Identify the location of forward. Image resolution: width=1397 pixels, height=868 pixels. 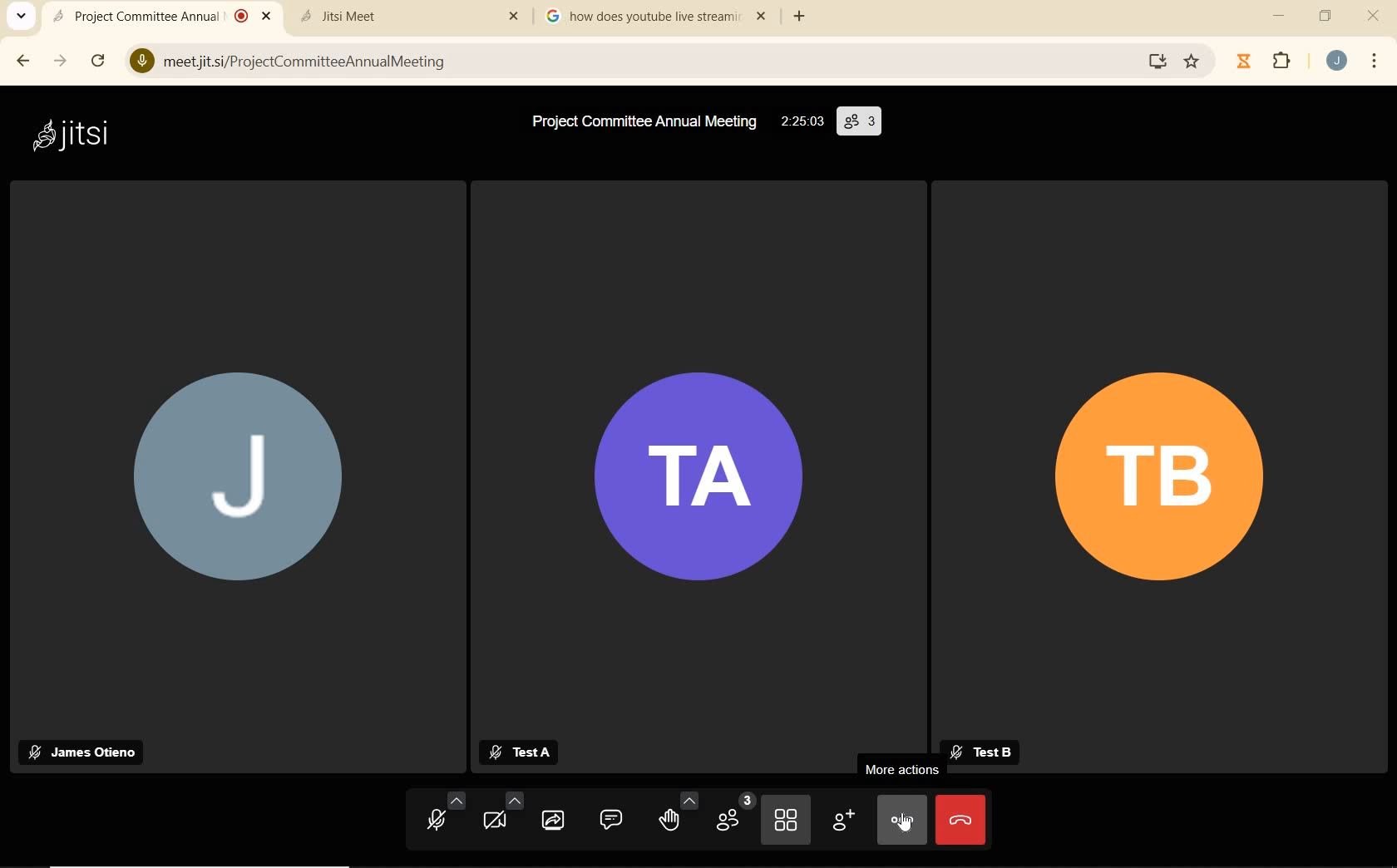
(60, 60).